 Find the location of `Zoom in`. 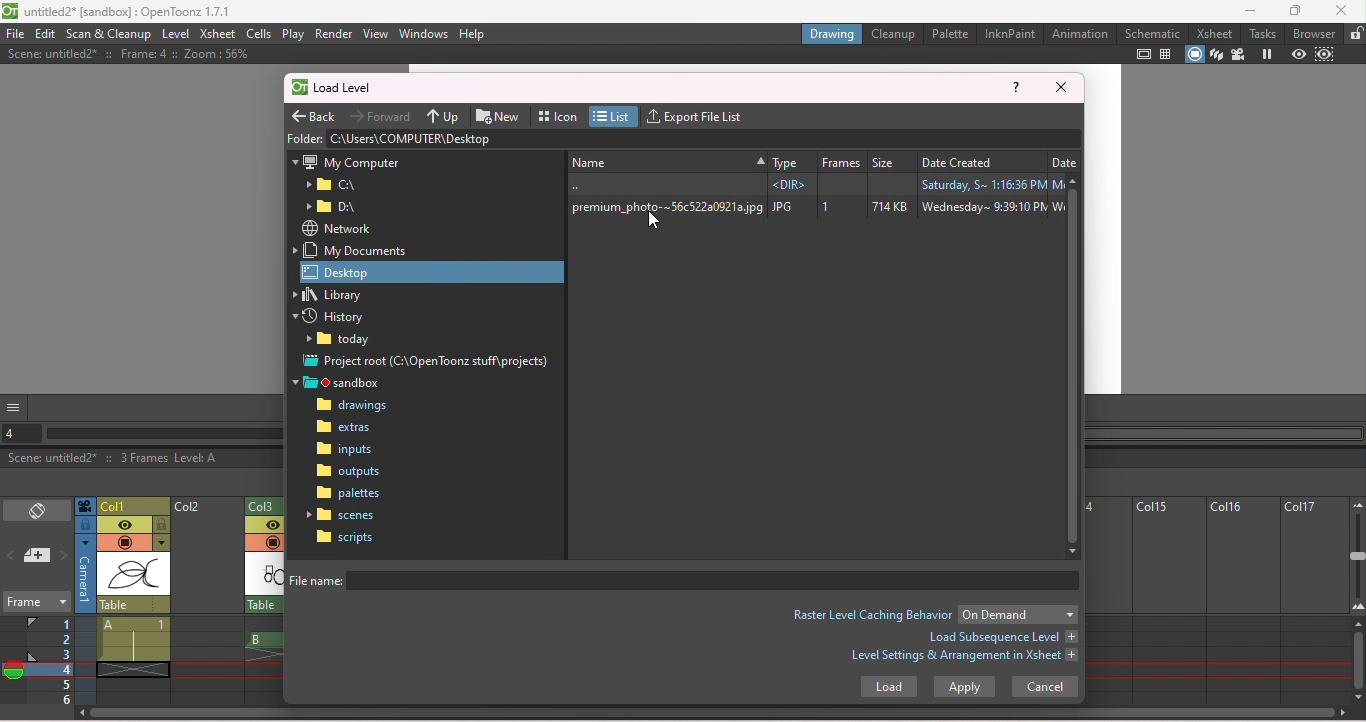

Zoom in is located at coordinates (1357, 610).